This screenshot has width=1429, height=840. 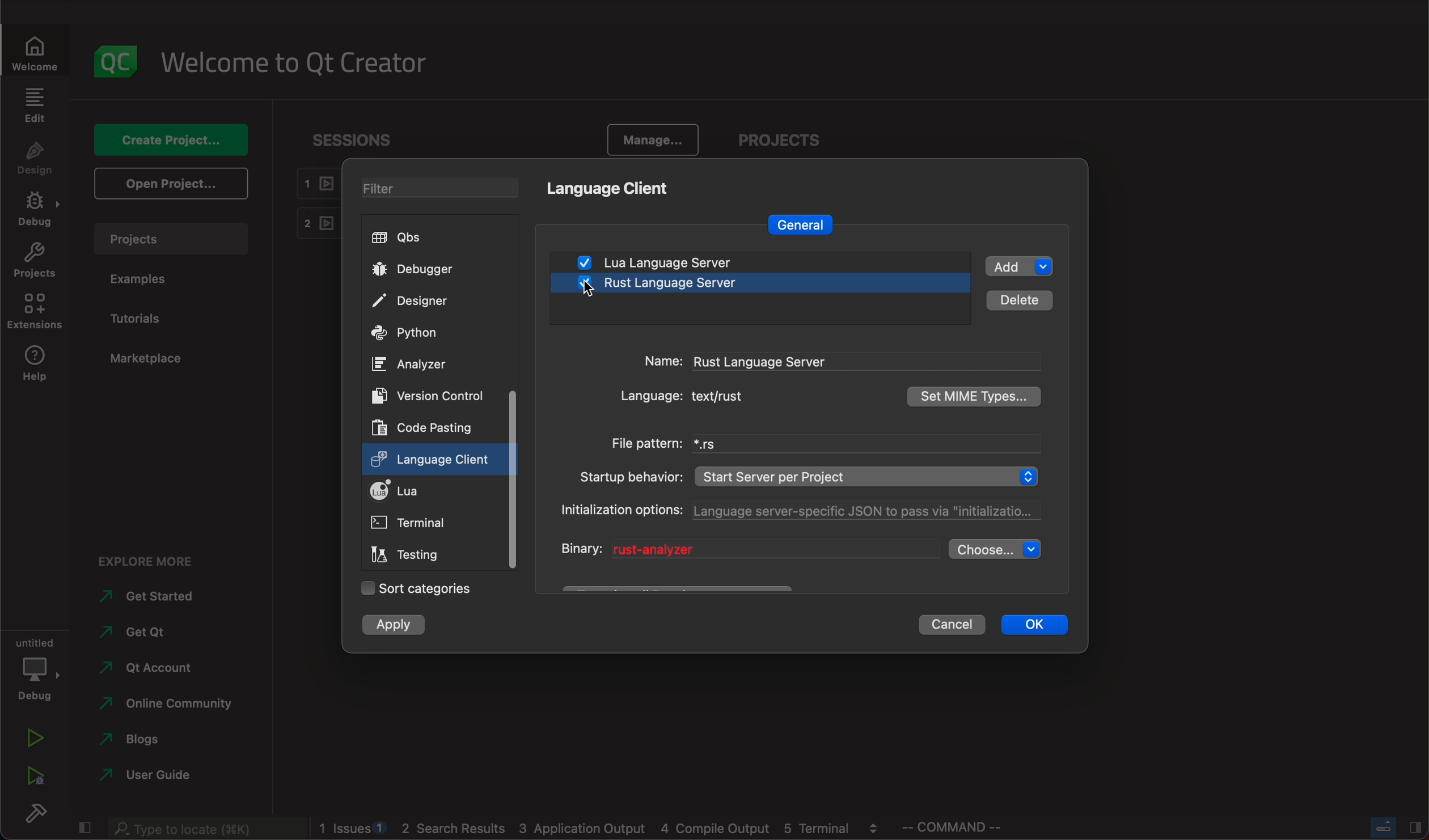 What do you see at coordinates (602, 829) in the screenshot?
I see `logs` at bounding box center [602, 829].